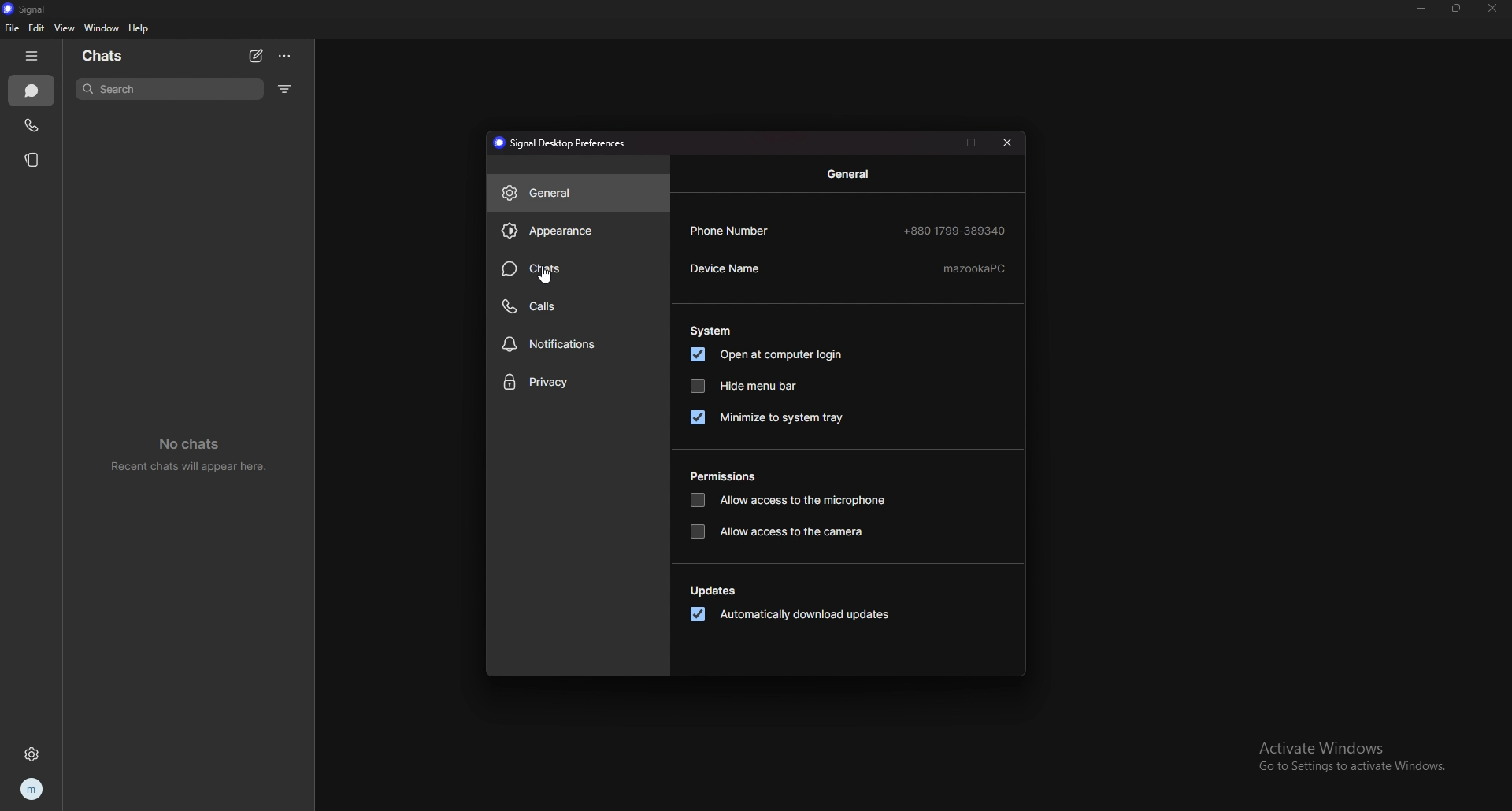 Image resolution: width=1512 pixels, height=811 pixels. What do you see at coordinates (768, 354) in the screenshot?
I see `open at computer login` at bounding box center [768, 354].